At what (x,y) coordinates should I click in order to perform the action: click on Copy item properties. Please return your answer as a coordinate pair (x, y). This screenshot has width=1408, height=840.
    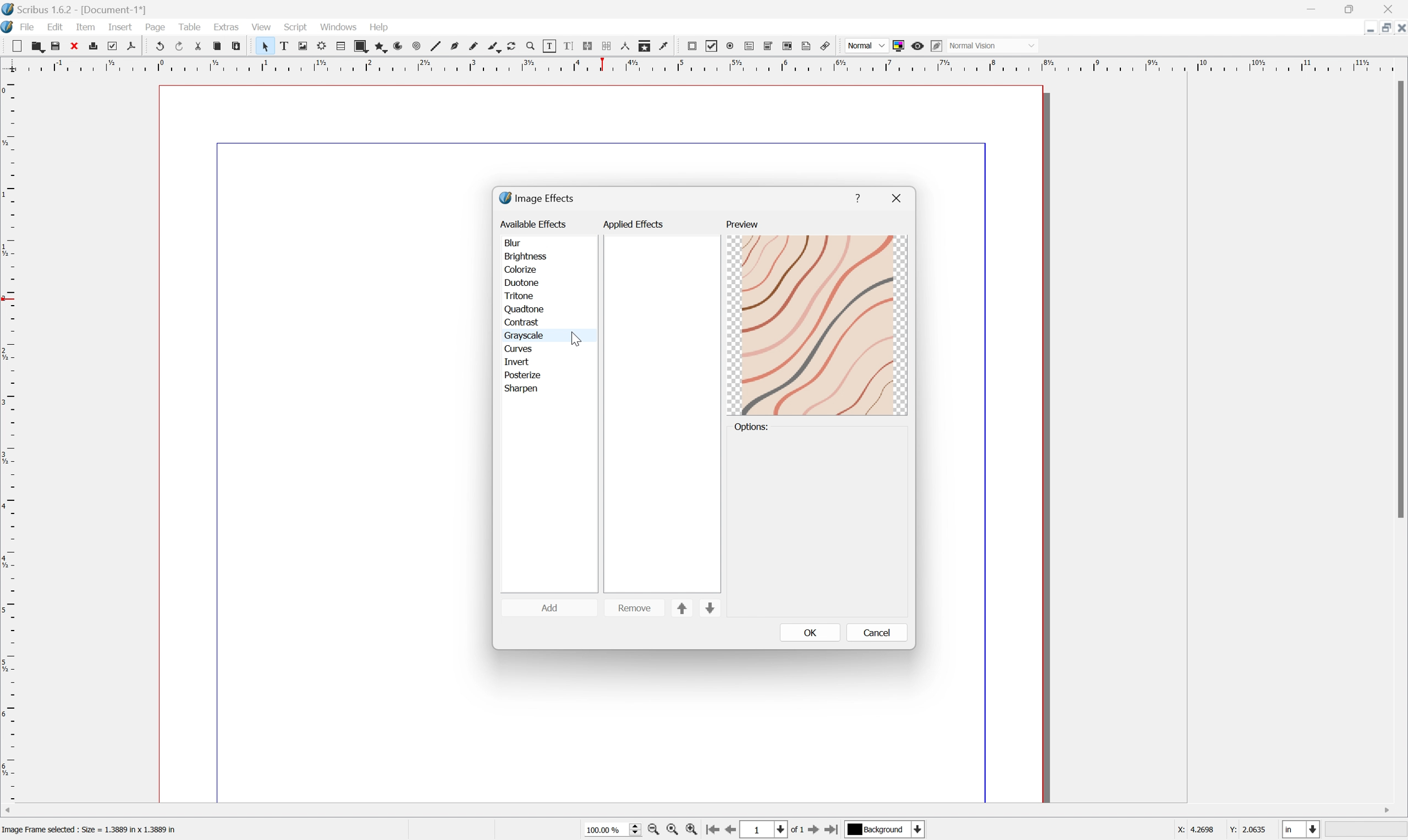
    Looking at the image, I should click on (646, 45).